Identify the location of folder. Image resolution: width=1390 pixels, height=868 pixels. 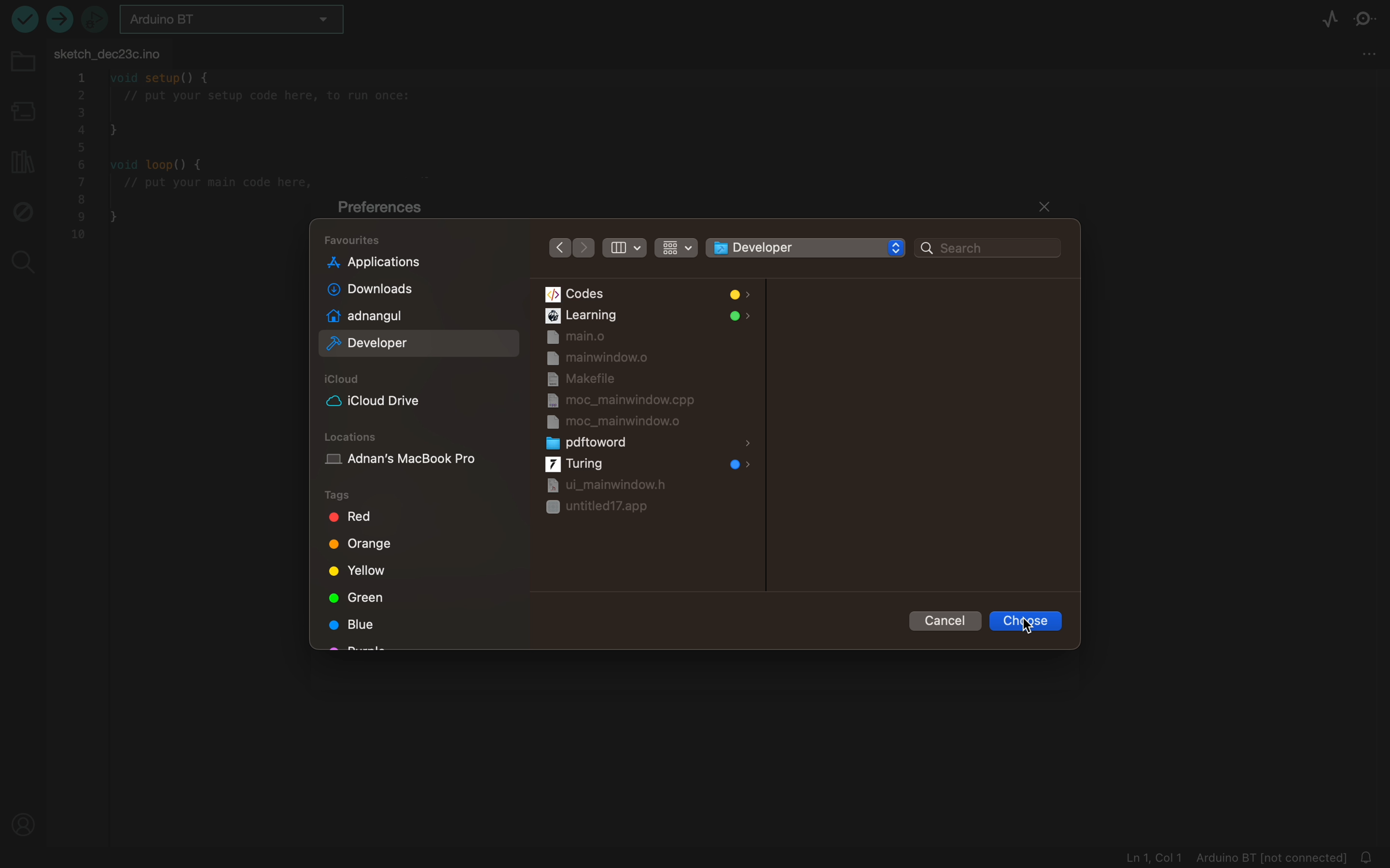
(23, 64).